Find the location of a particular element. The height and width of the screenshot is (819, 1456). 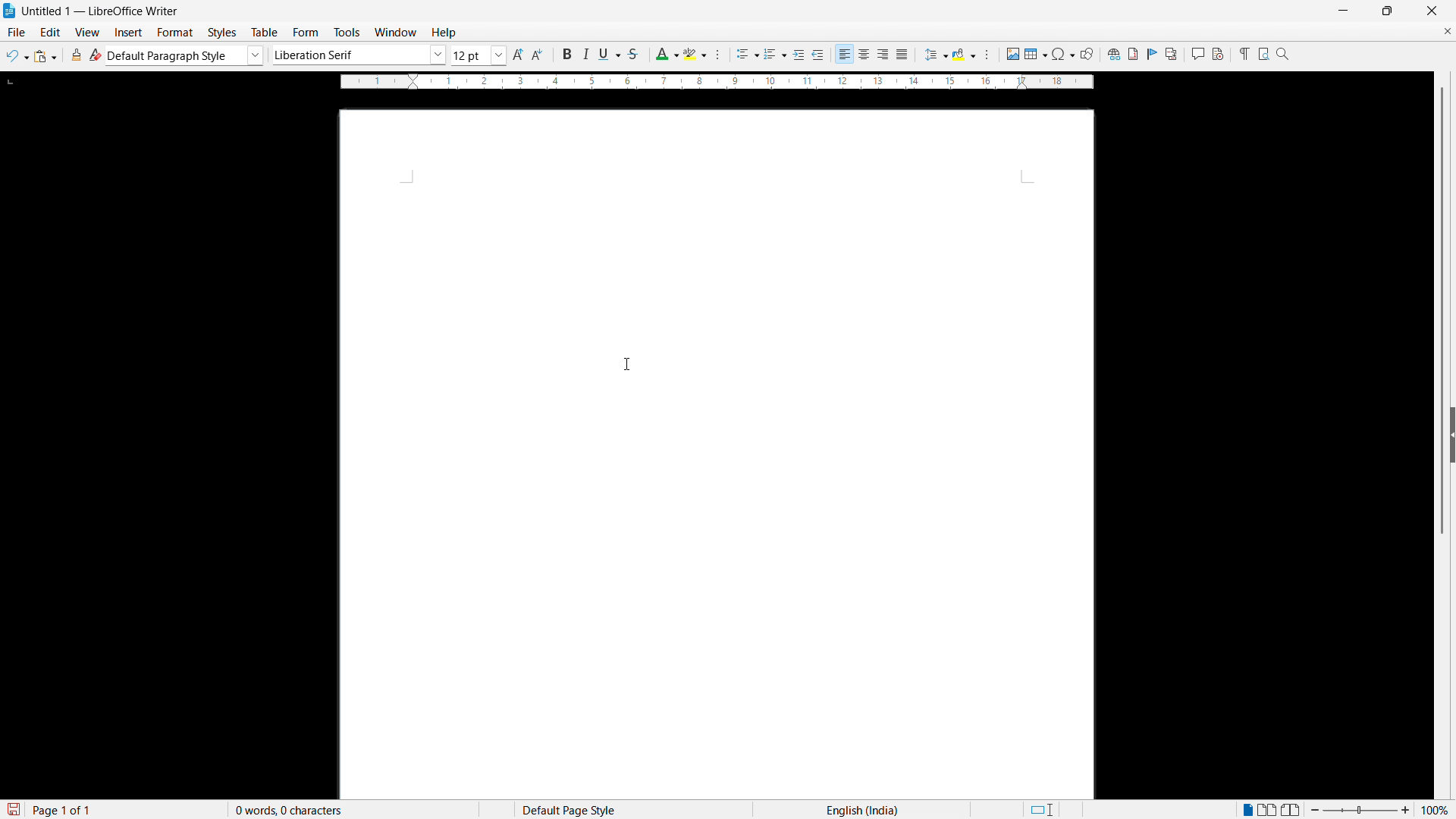

Align Centre  is located at coordinates (864, 55).